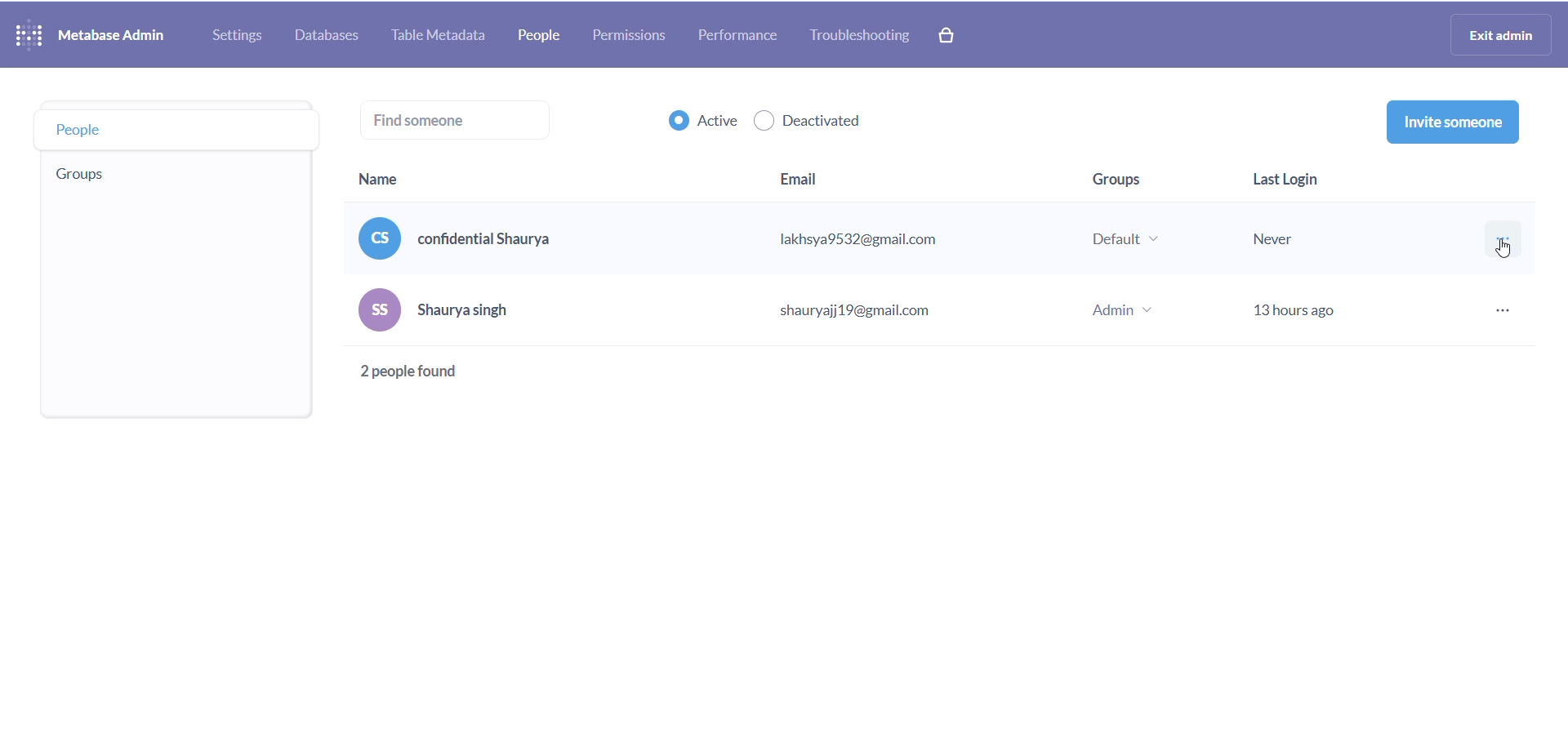  Describe the element at coordinates (1502, 34) in the screenshot. I see `exit admin` at that location.